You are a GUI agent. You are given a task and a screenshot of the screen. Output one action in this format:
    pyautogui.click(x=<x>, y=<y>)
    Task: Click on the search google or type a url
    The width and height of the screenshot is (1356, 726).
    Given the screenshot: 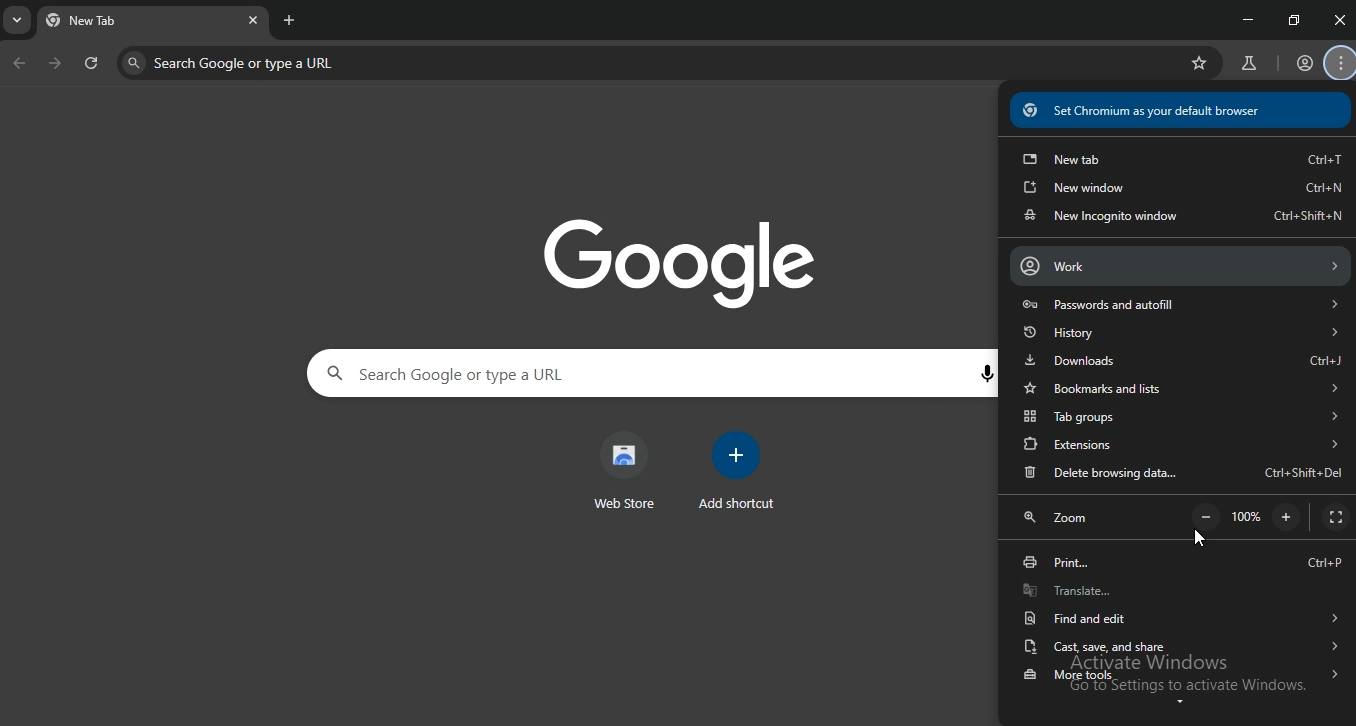 What is the action you would take?
    pyautogui.click(x=534, y=374)
    